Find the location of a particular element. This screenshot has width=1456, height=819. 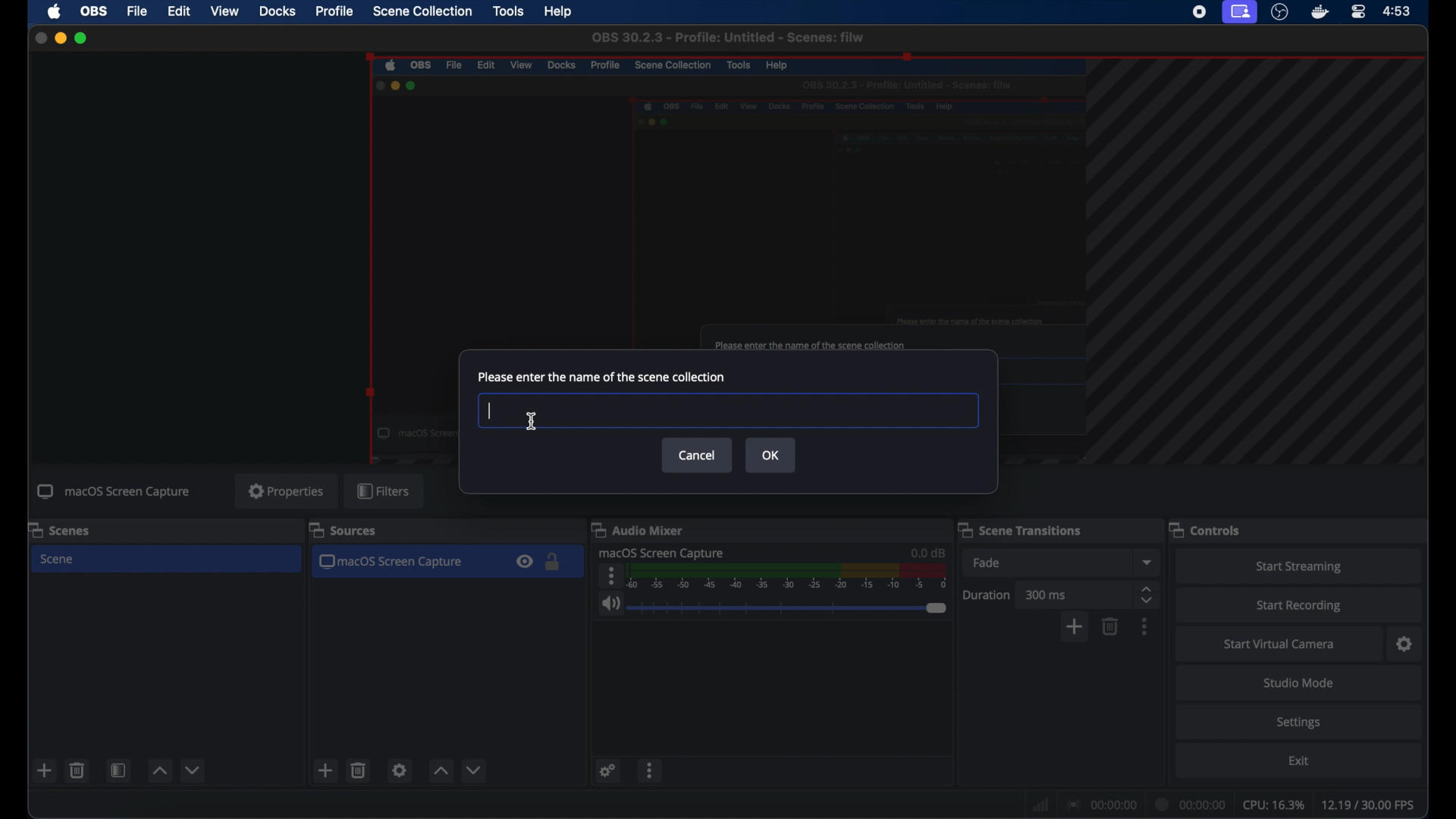

settings is located at coordinates (400, 770).